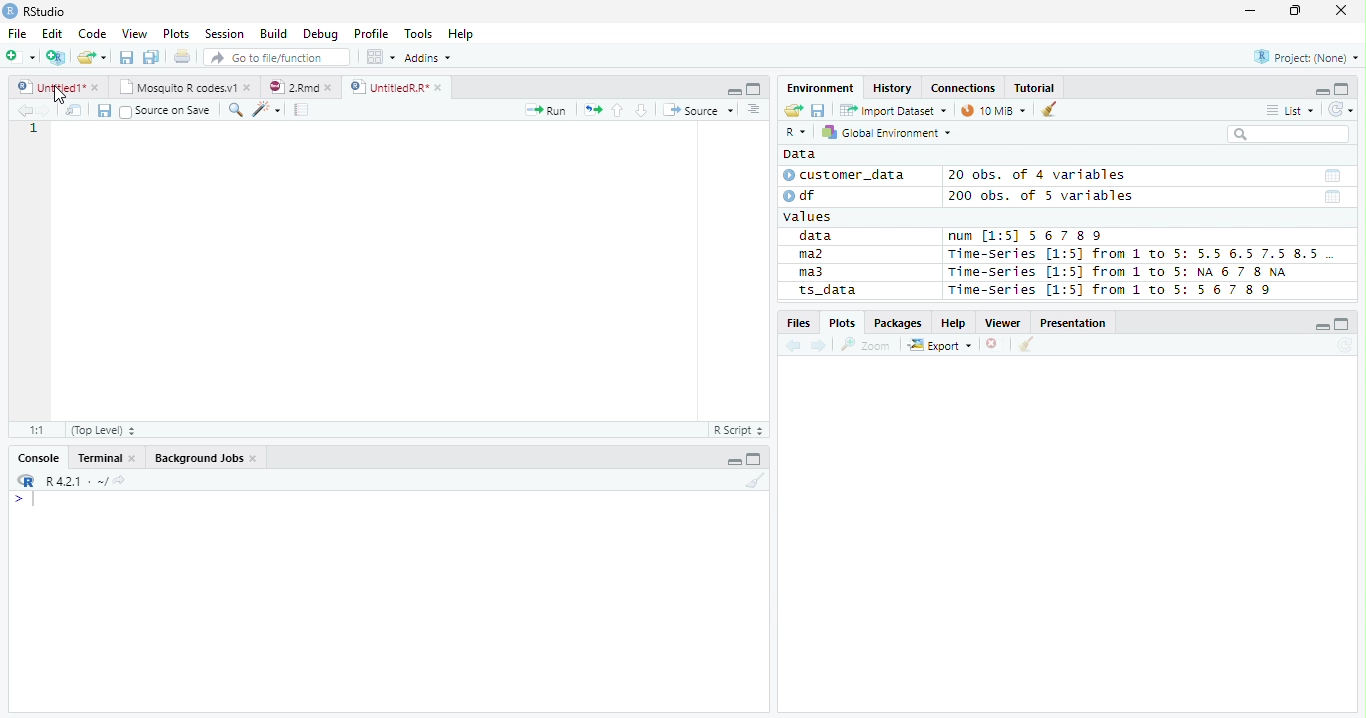 This screenshot has width=1366, height=718. Describe the element at coordinates (617, 111) in the screenshot. I see `Up` at that location.